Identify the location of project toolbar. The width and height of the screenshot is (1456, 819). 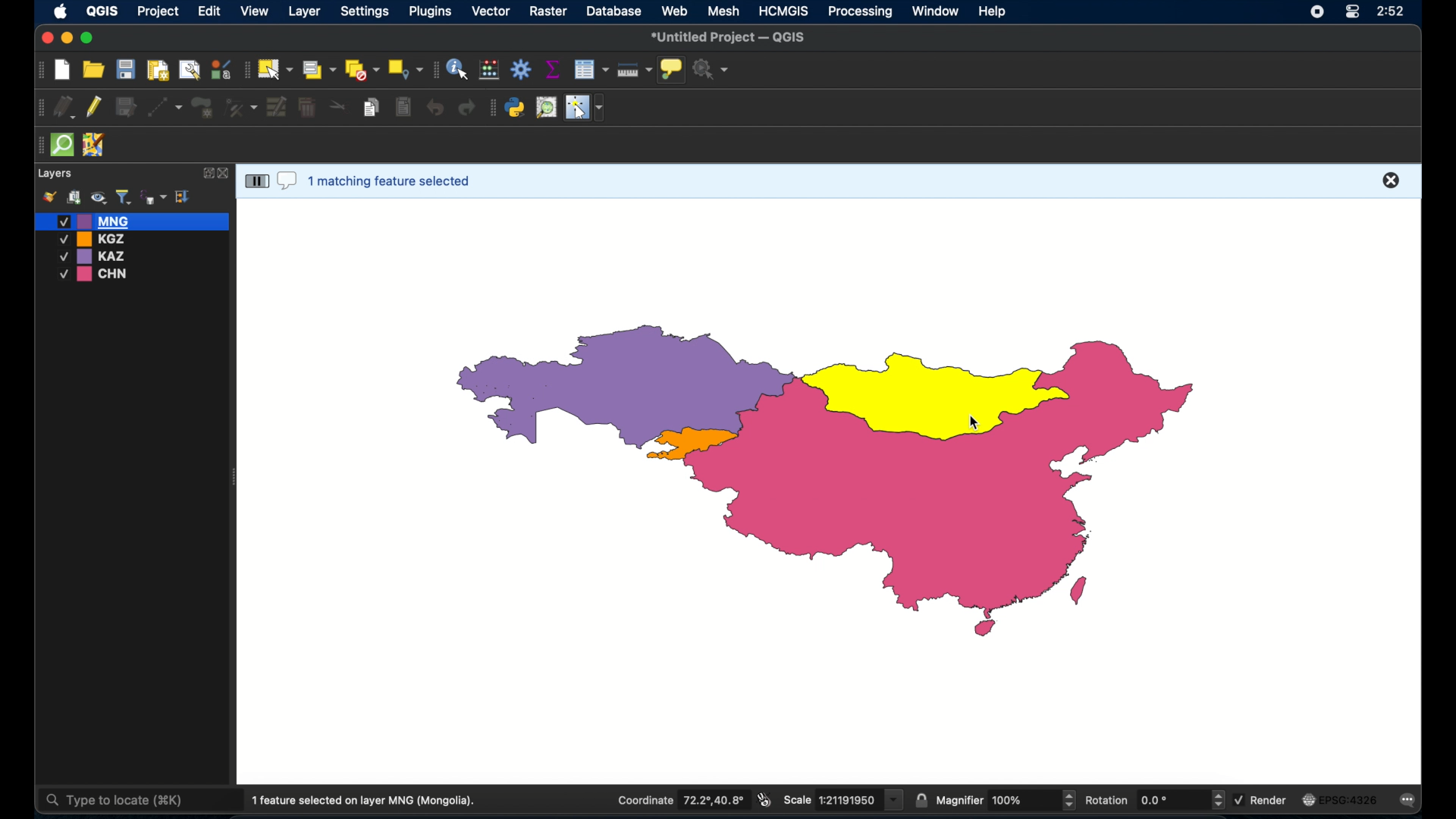
(38, 71).